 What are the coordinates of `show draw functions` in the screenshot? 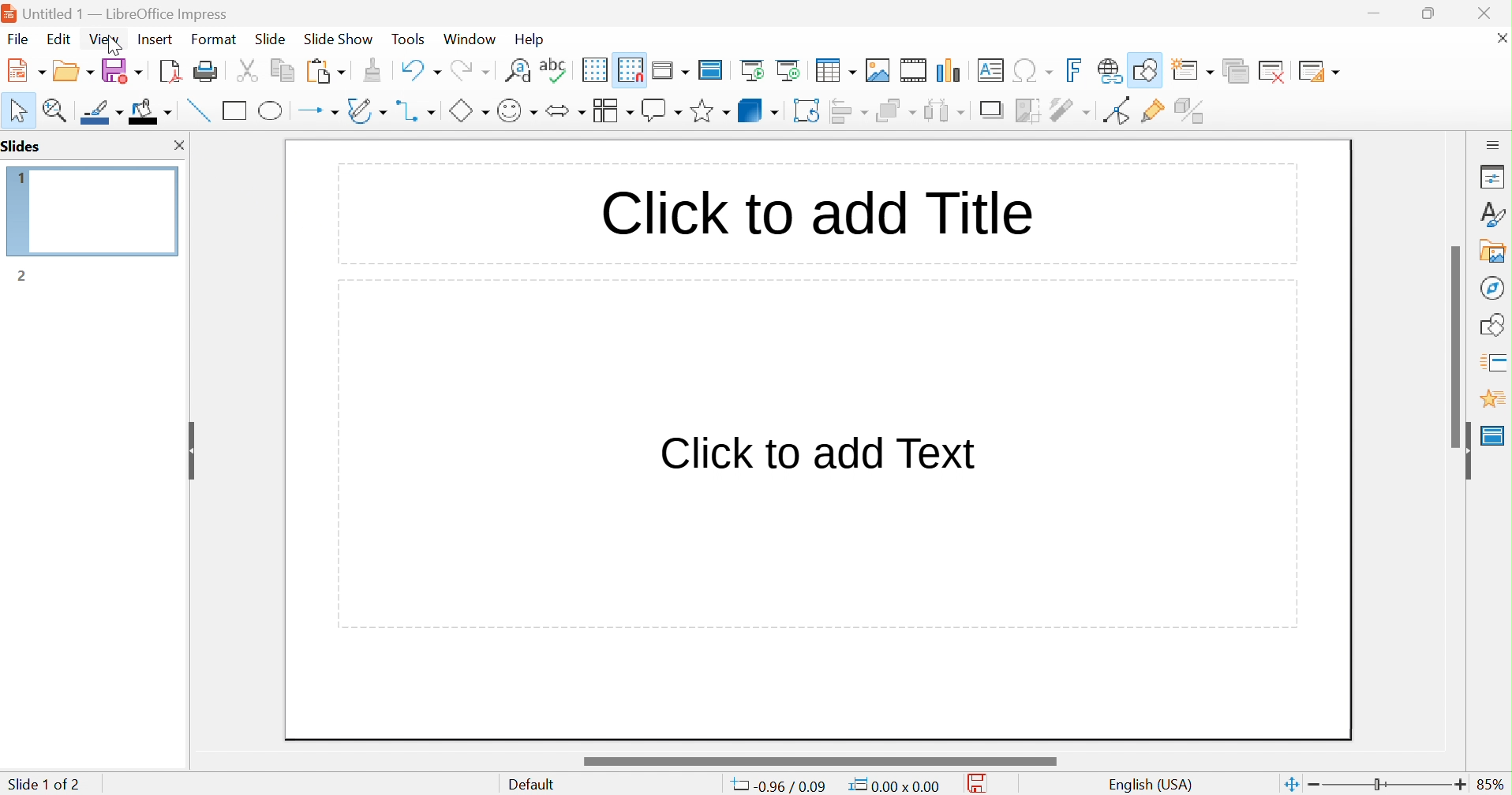 It's located at (1147, 68).